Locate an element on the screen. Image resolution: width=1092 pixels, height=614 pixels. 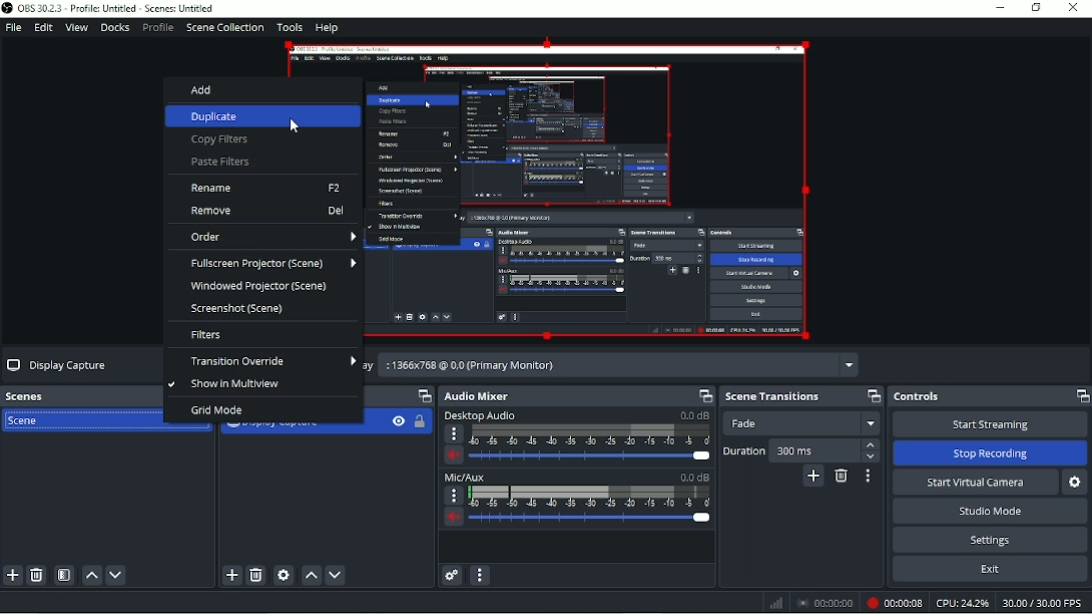
Lock is located at coordinates (423, 423).